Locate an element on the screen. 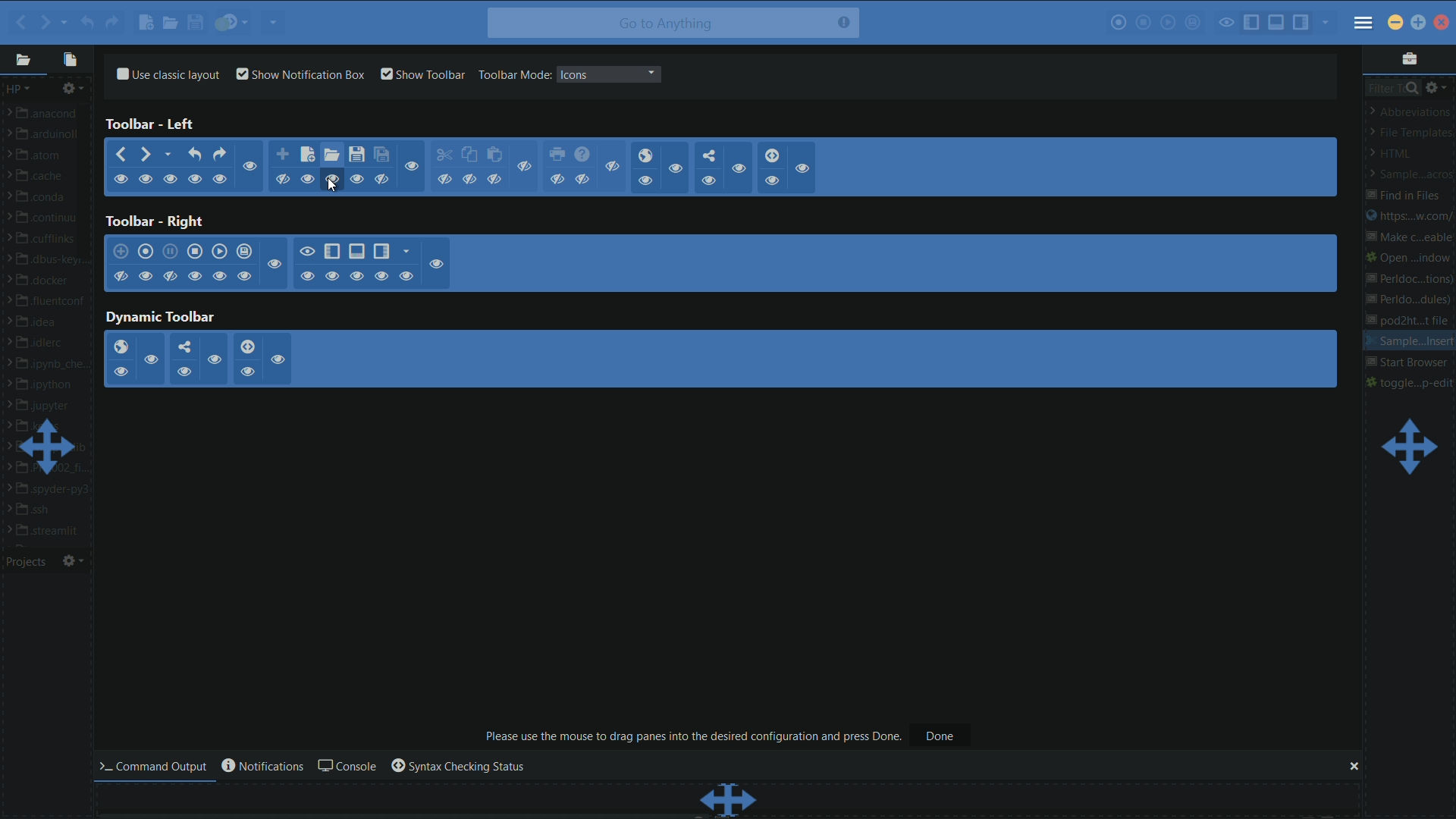  jump to next syntax checking result is located at coordinates (247, 347).